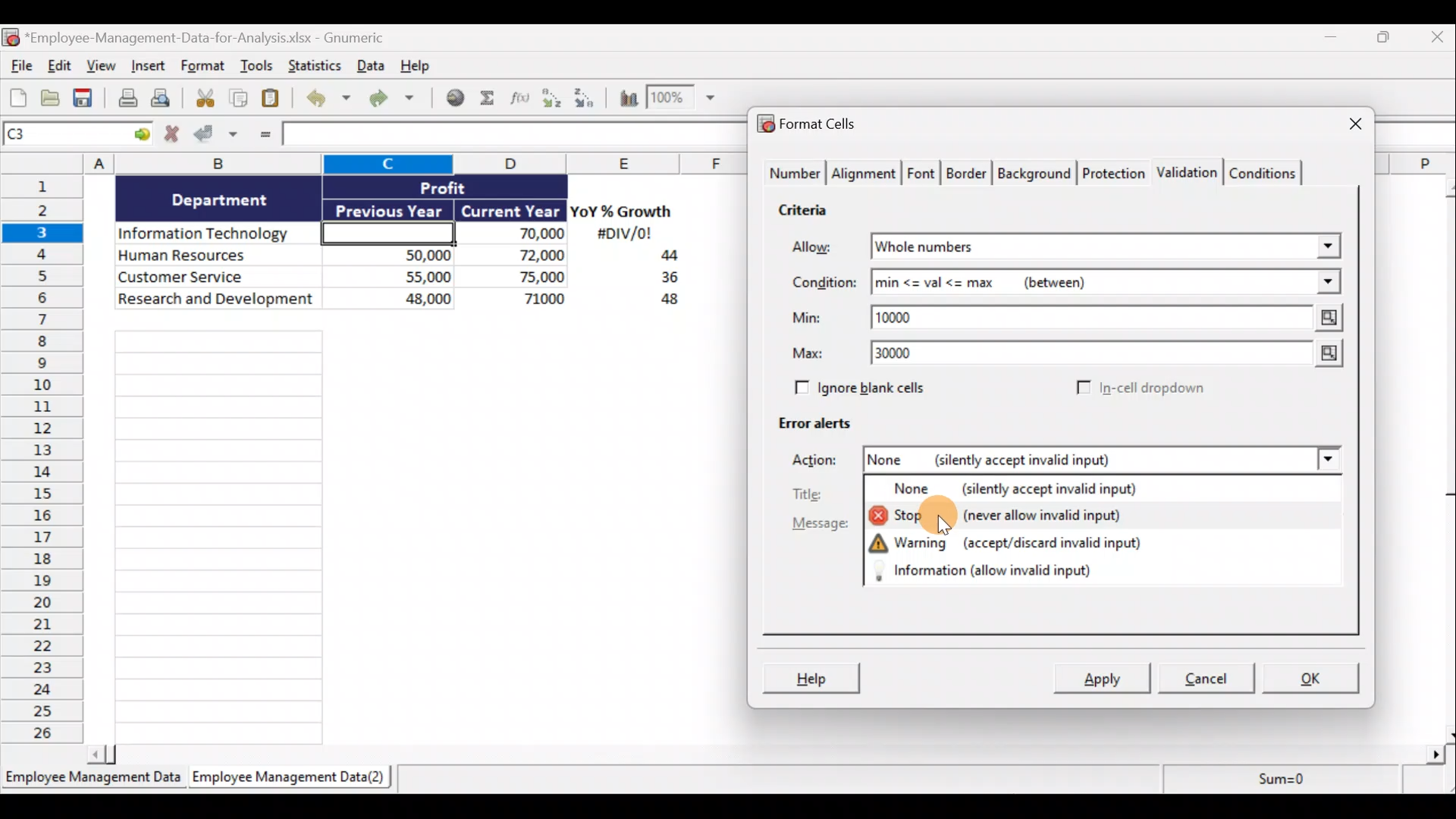 This screenshot has width=1456, height=819. What do you see at coordinates (1047, 462) in the screenshot?
I see `None (silently accept invalid input)` at bounding box center [1047, 462].